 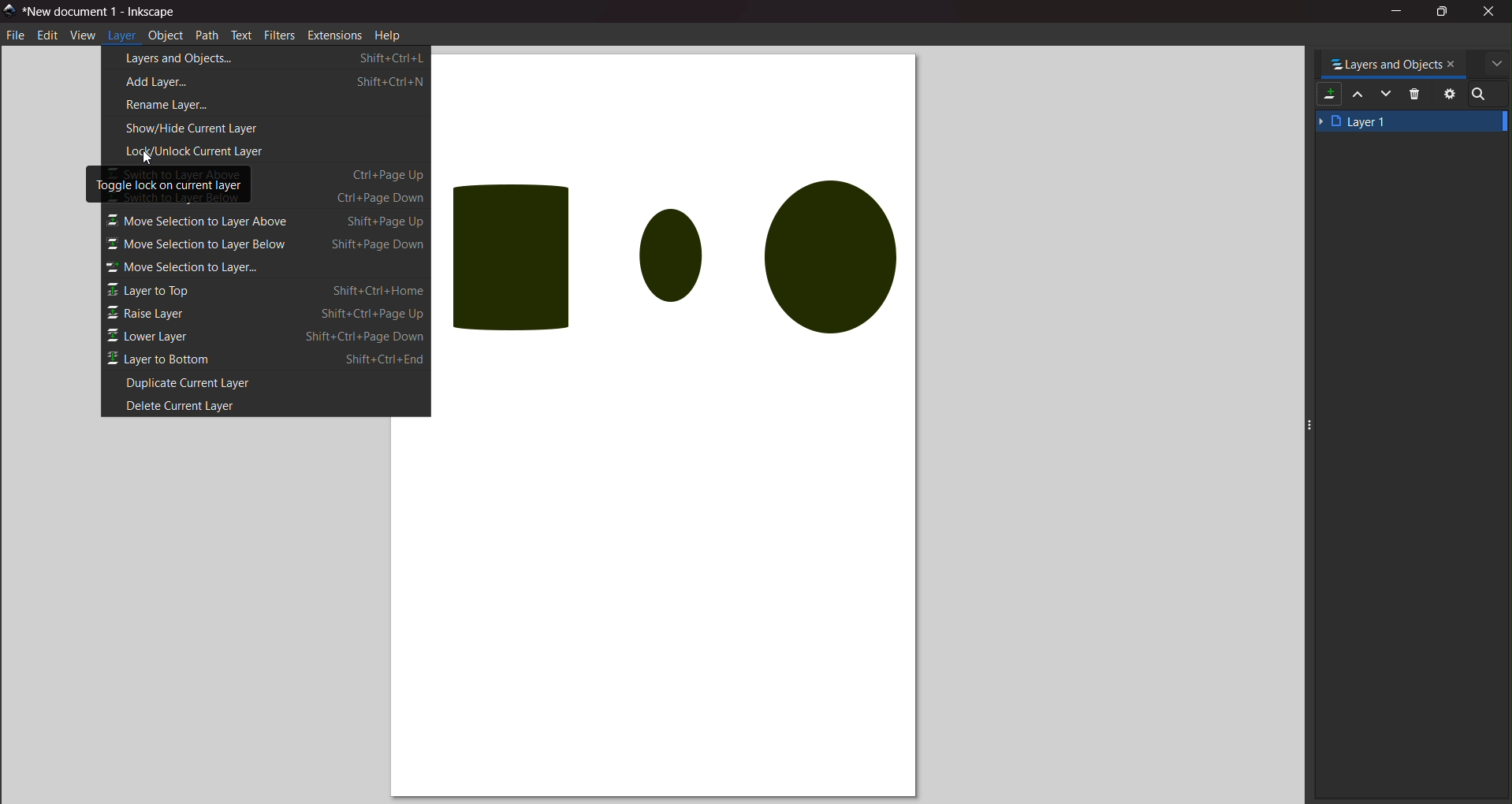 I want to click on objects, so click(x=678, y=256).